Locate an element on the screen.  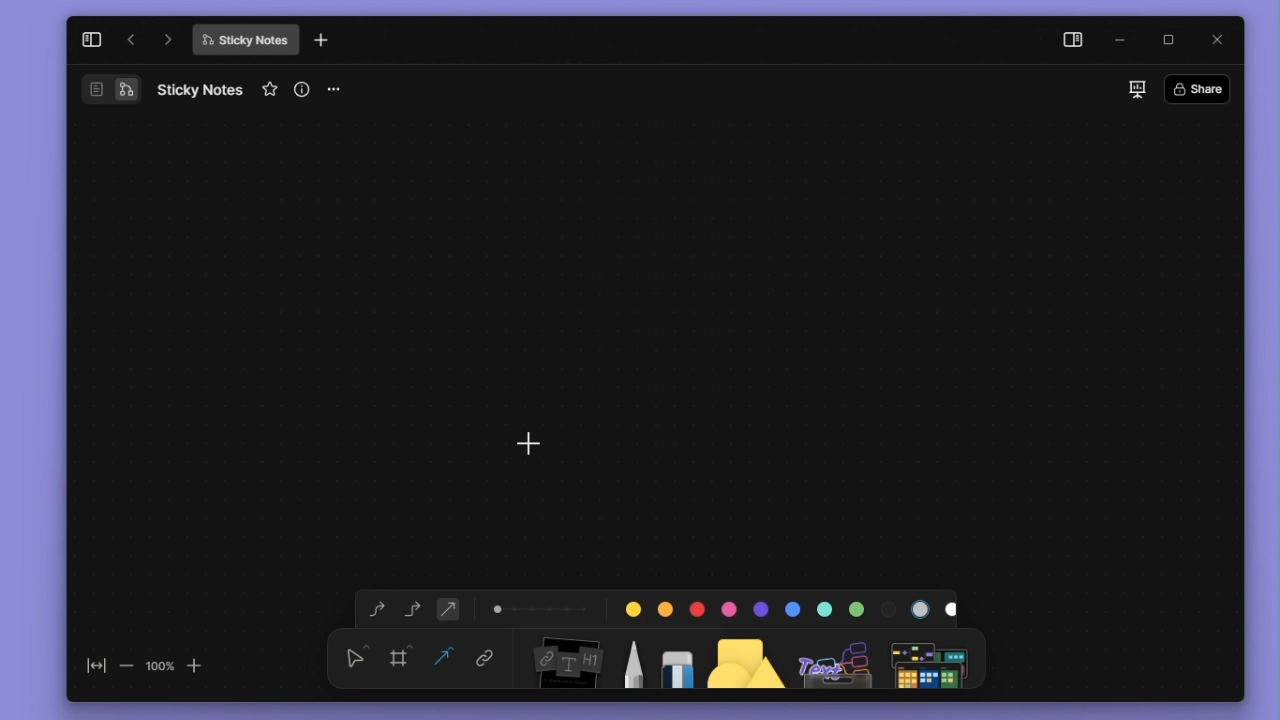
curved is located at coordinates (373, 610).